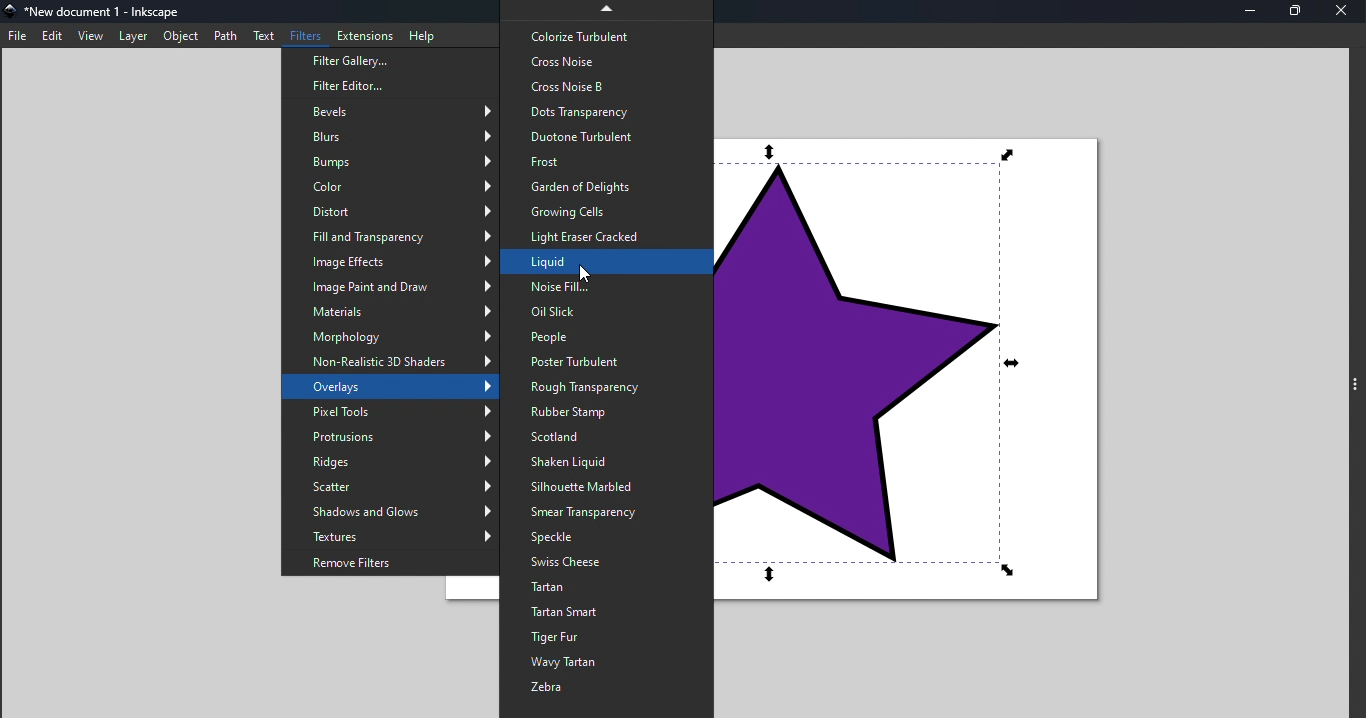 This screenshot has height=718, width=1366. Describe the element at coordinates (394, 111) in the screenshot. I see `Bevels` at that location.